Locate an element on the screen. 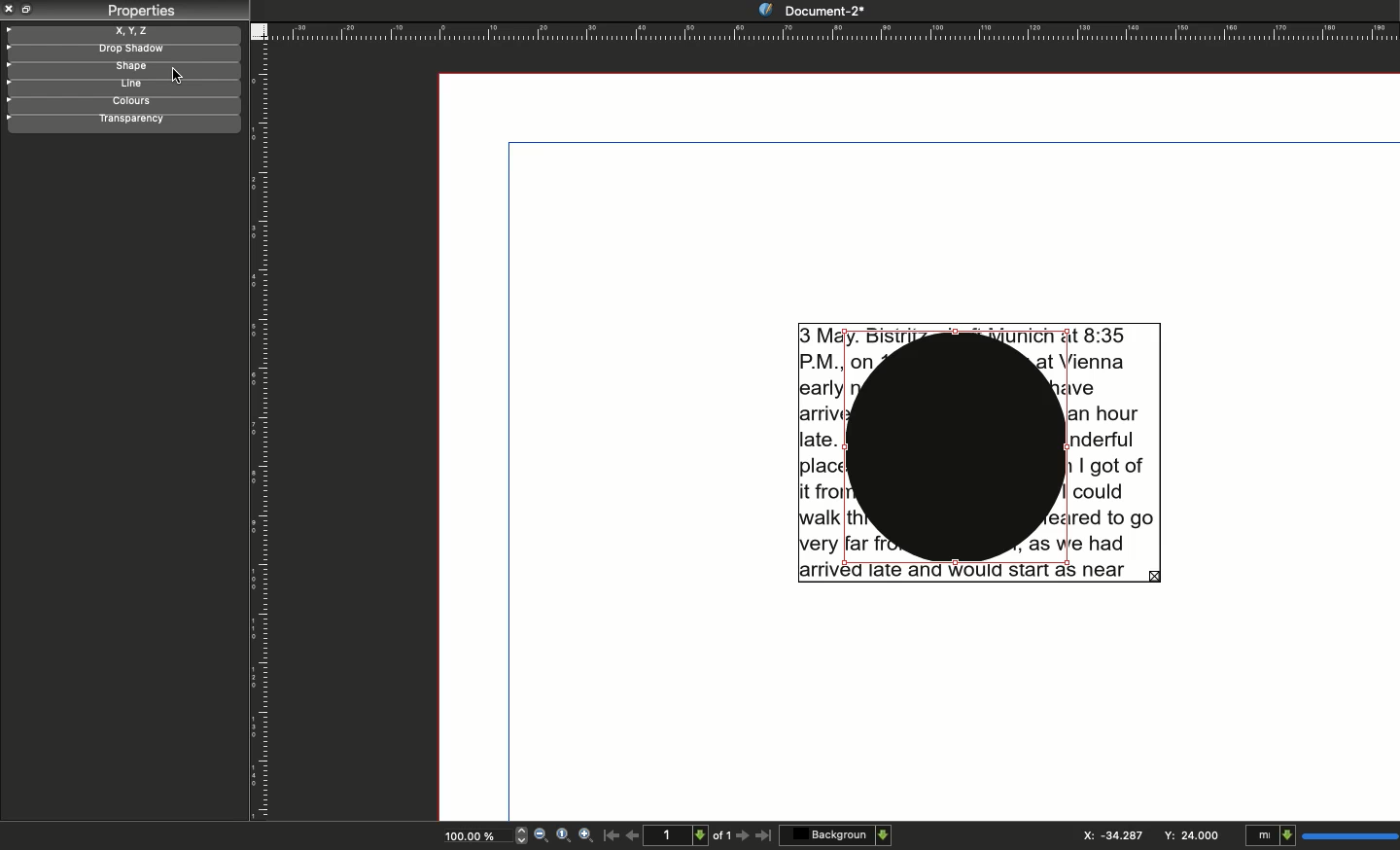  Guide is located at coordinates (9, 30).